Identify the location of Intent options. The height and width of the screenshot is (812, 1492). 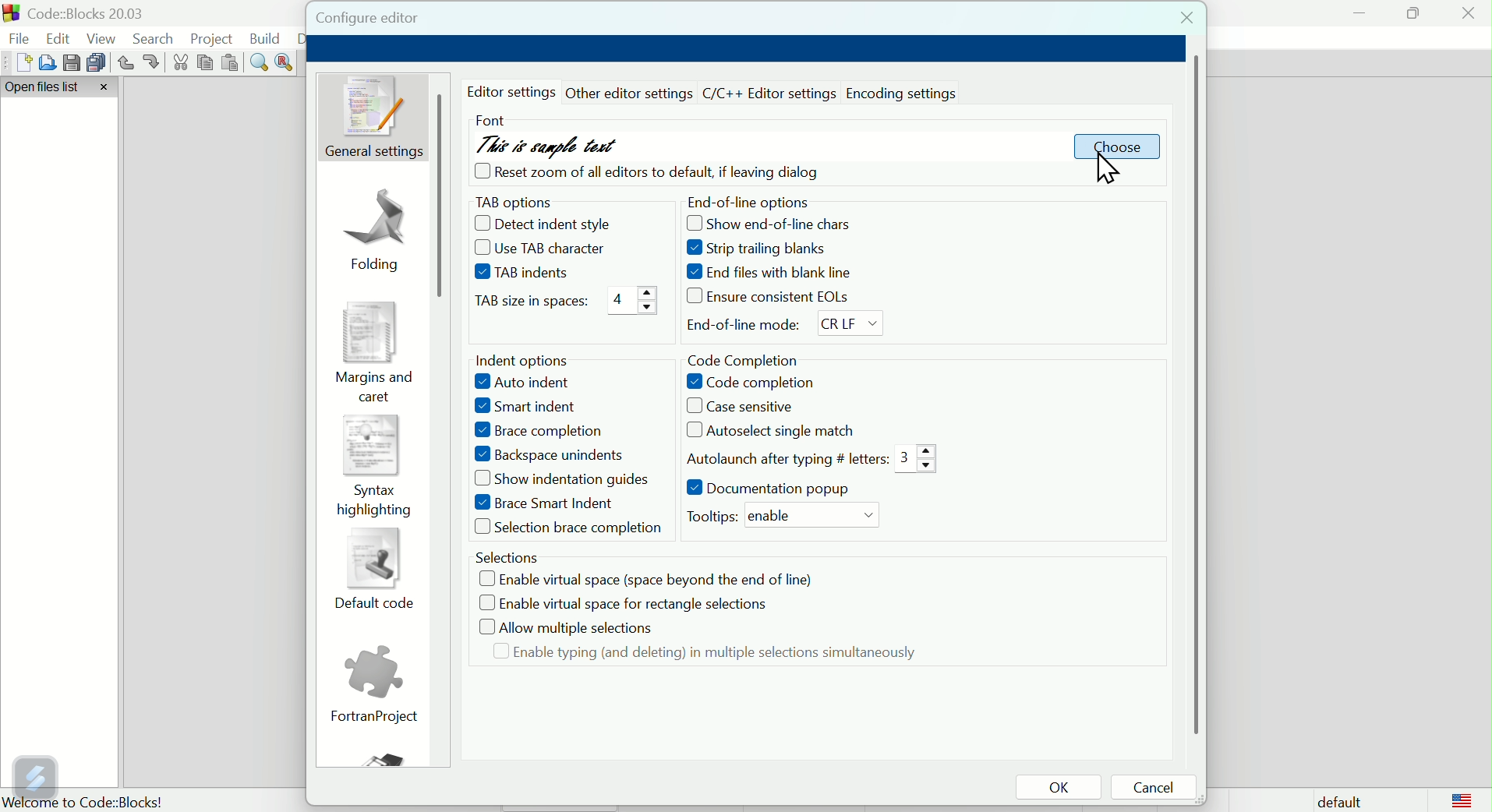
(527, 360).